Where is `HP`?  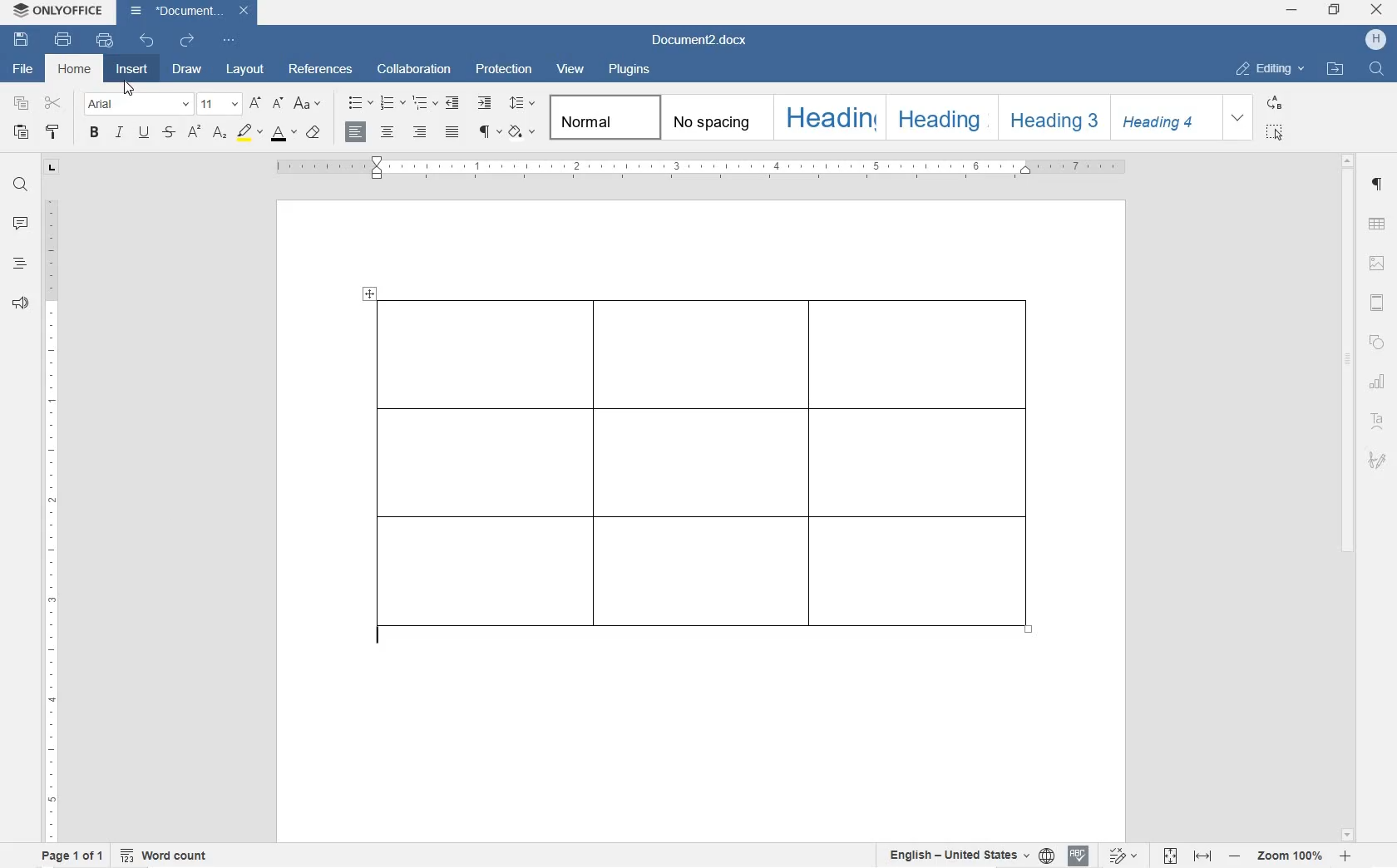
HP is located at coordinates (1375, 40).